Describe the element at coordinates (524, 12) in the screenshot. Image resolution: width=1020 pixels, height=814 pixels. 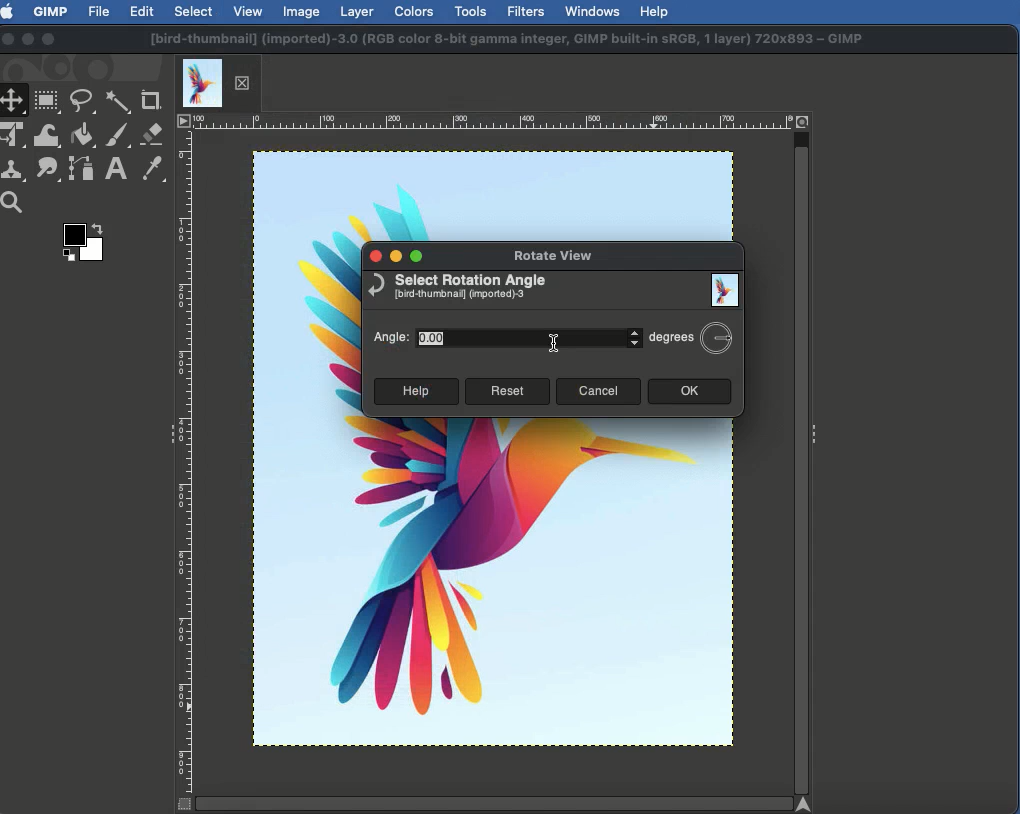
I see `Filters` at that location.